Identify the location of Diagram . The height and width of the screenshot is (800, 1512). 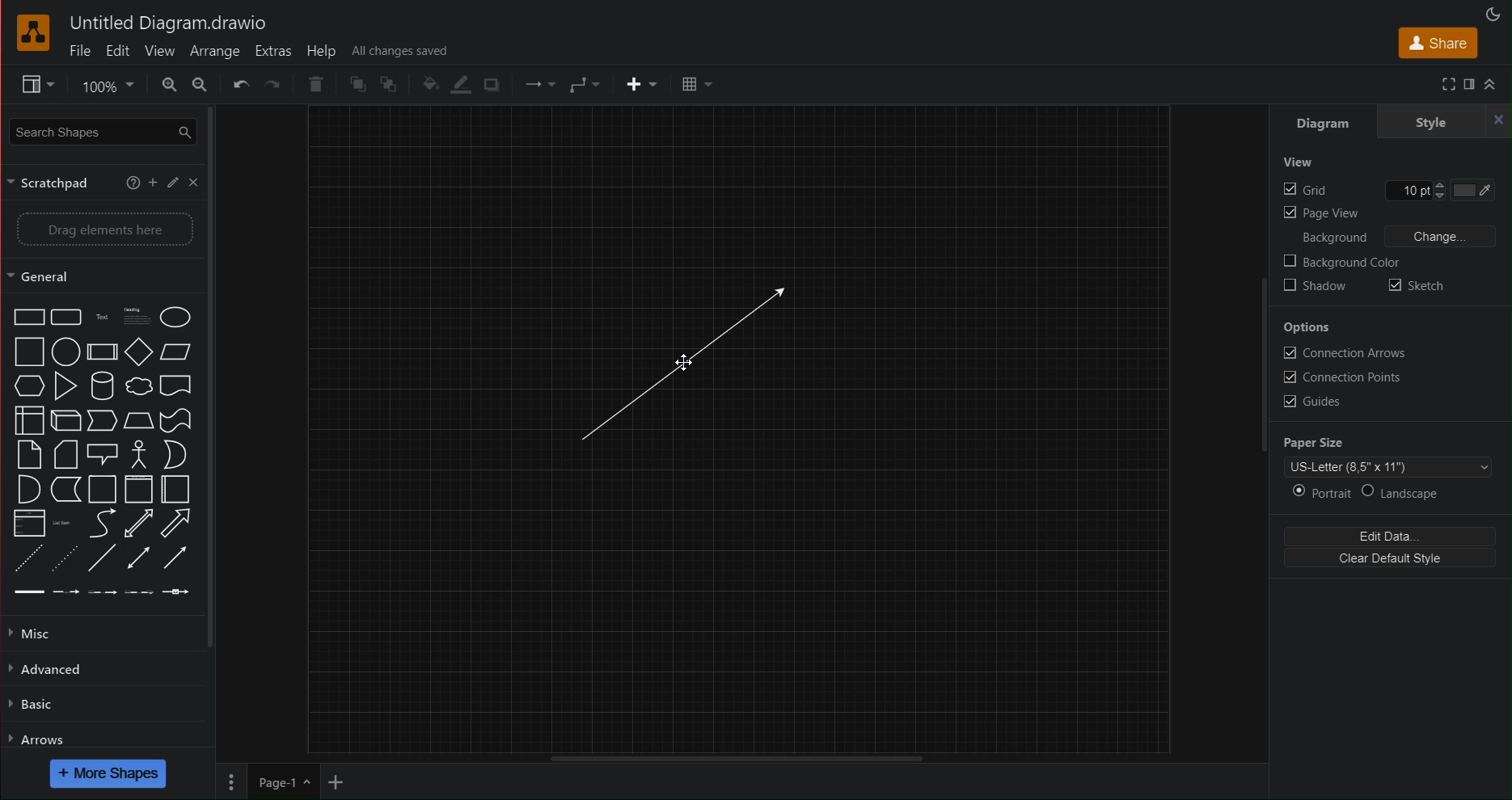
(1318, 122).